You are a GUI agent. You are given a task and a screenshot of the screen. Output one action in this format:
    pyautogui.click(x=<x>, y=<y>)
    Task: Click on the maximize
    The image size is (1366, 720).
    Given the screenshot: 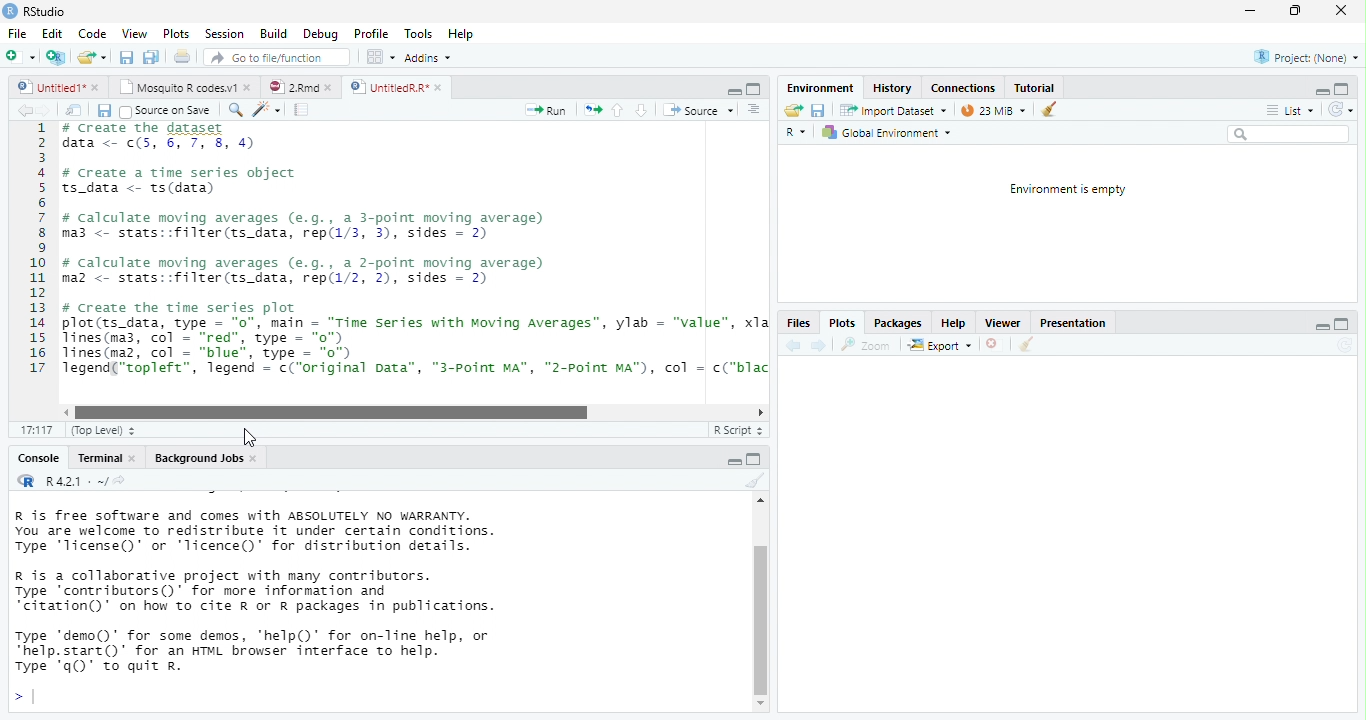 What is the action you would take?
    pyautogui.click(x=1342, y=88)
    